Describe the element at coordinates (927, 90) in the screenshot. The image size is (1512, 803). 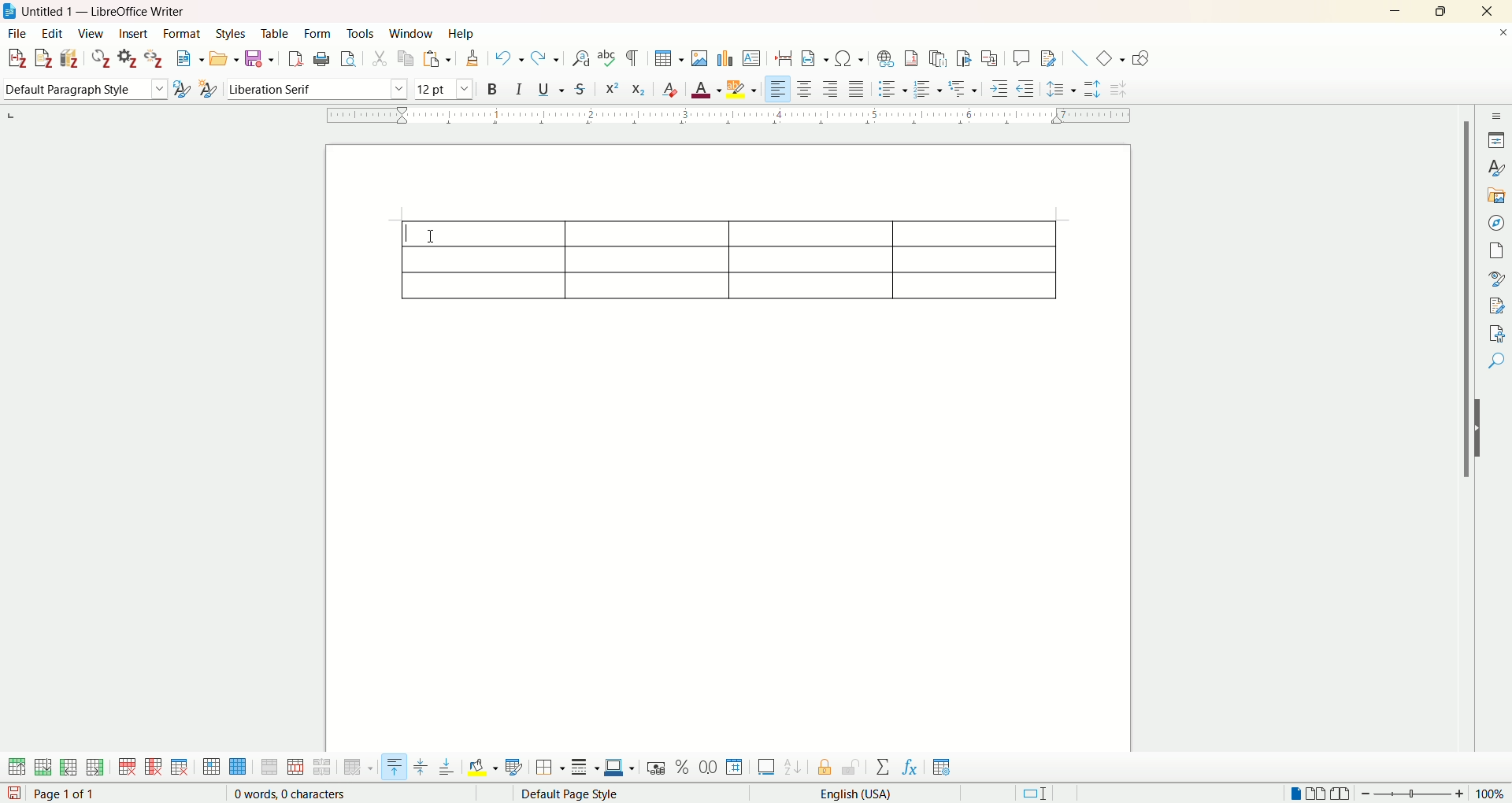
I see `ordered list` at that location.